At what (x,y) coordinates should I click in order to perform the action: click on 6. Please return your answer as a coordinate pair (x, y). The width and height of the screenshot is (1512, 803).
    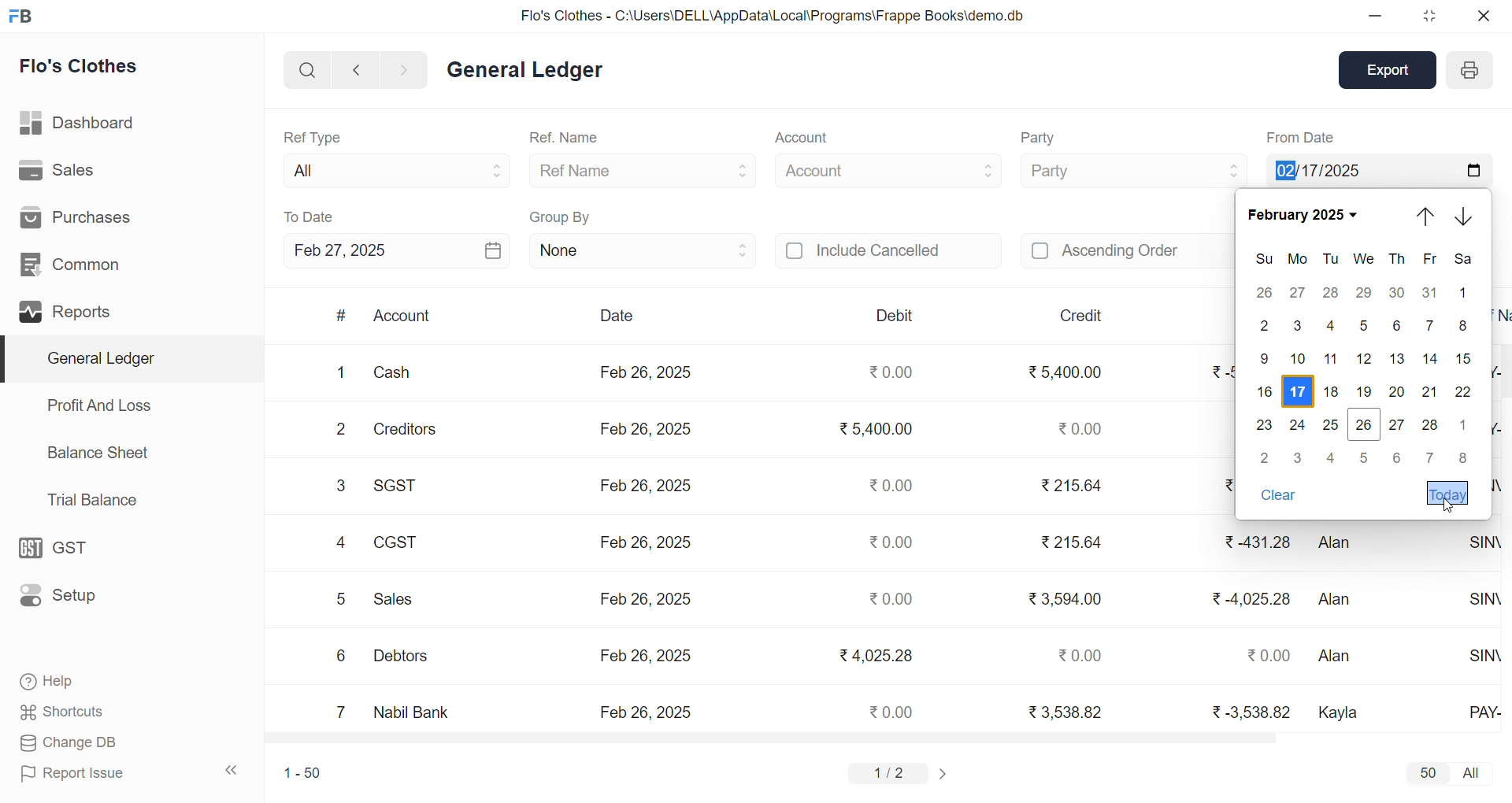
    Looking at the image, I should click on (1395, 327).